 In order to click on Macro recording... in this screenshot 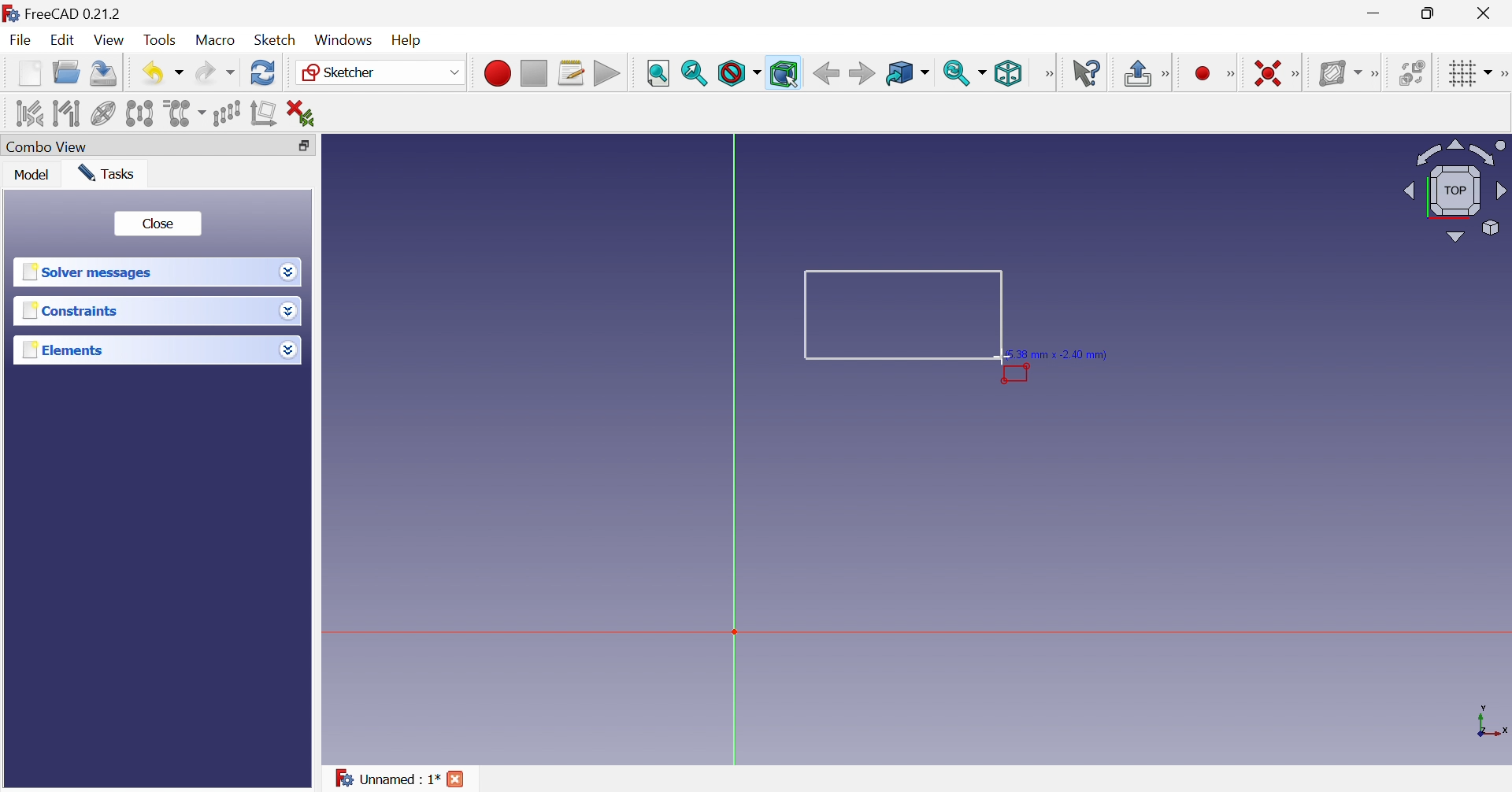, I will do `click(498, 74)`.